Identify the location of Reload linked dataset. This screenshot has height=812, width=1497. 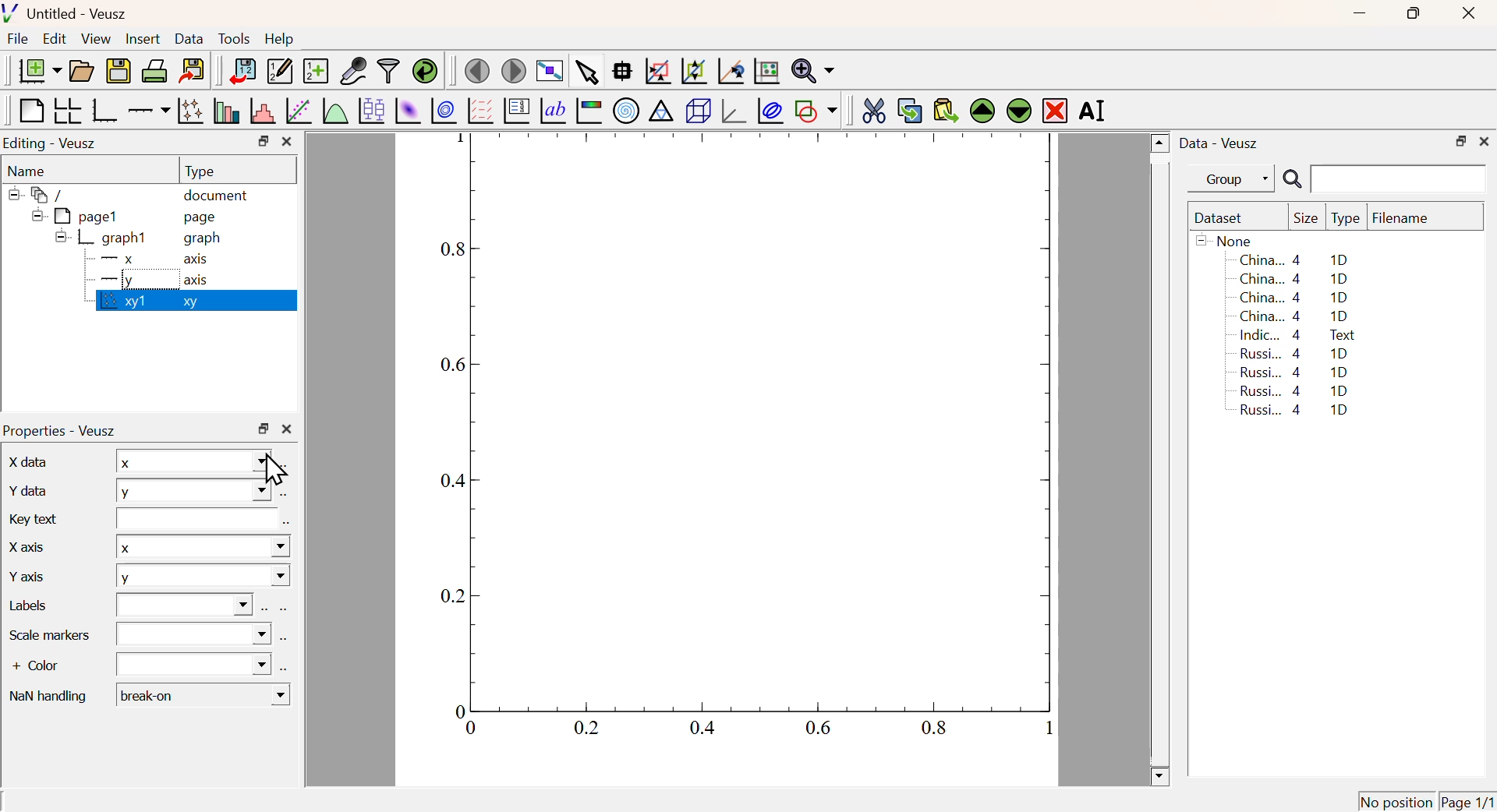
(425, 69).